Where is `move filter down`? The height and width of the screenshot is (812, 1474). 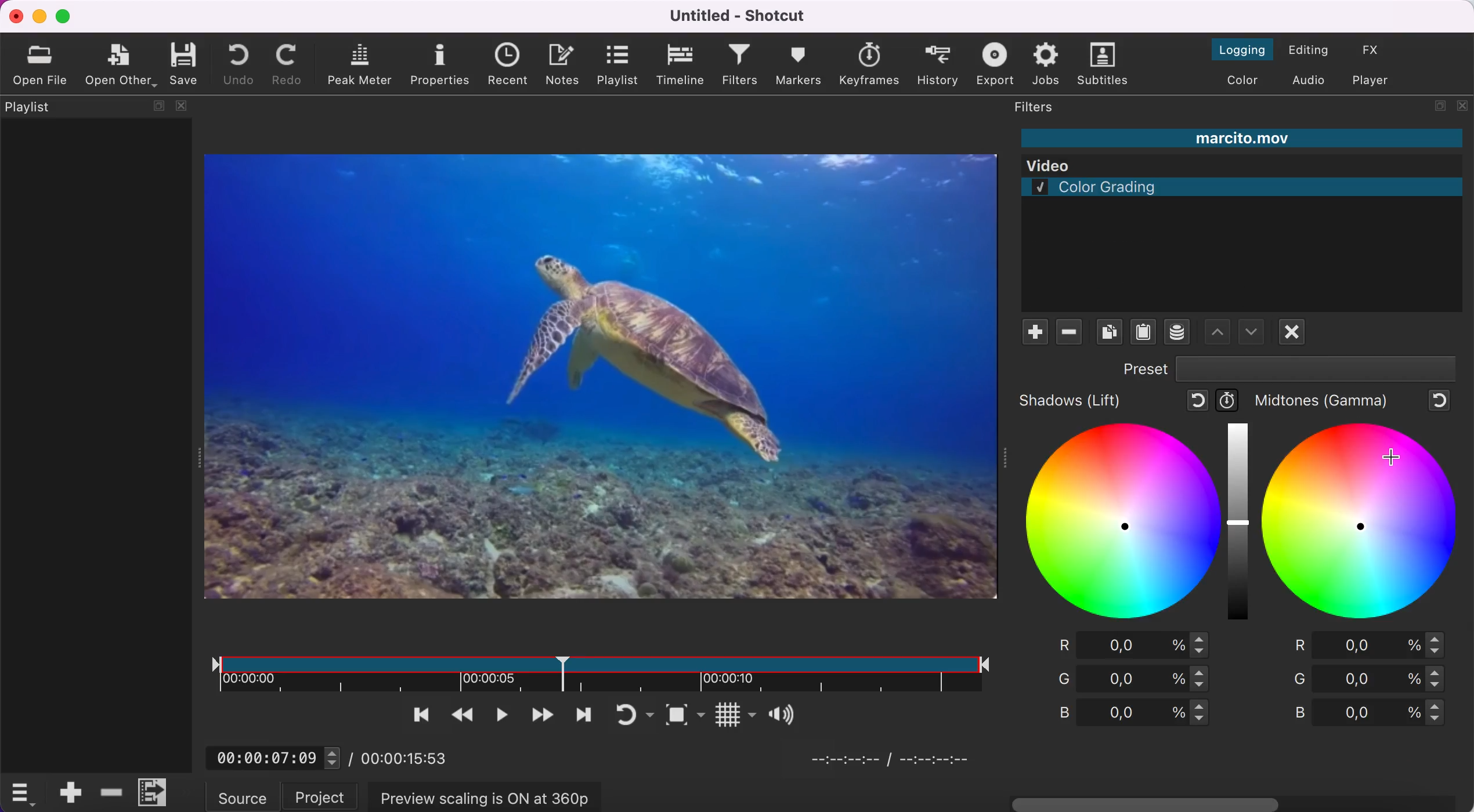
move filter down is located at coordinates (1216, 332).